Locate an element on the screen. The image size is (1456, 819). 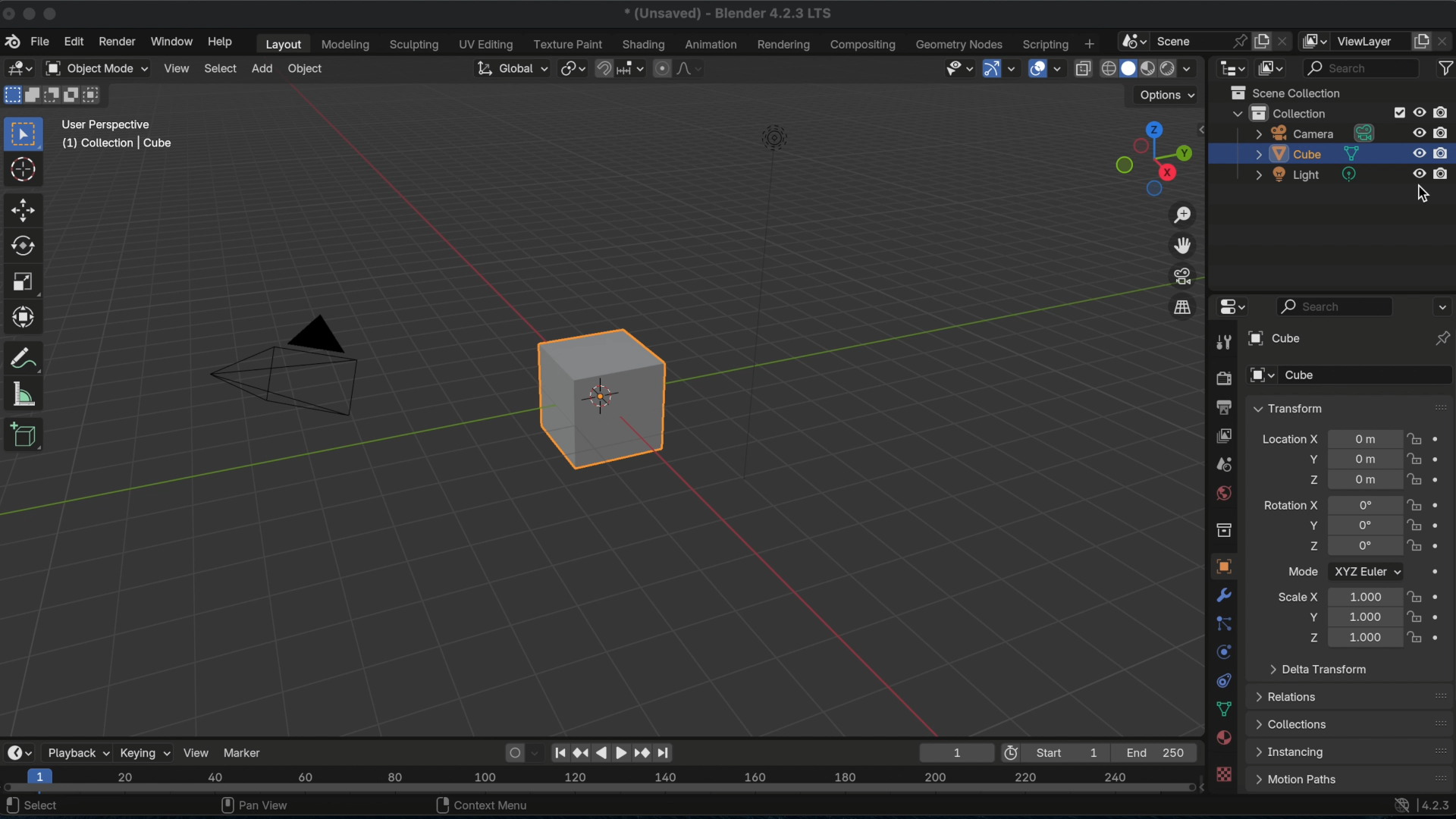
relations is located at coordinates (1291, 697).